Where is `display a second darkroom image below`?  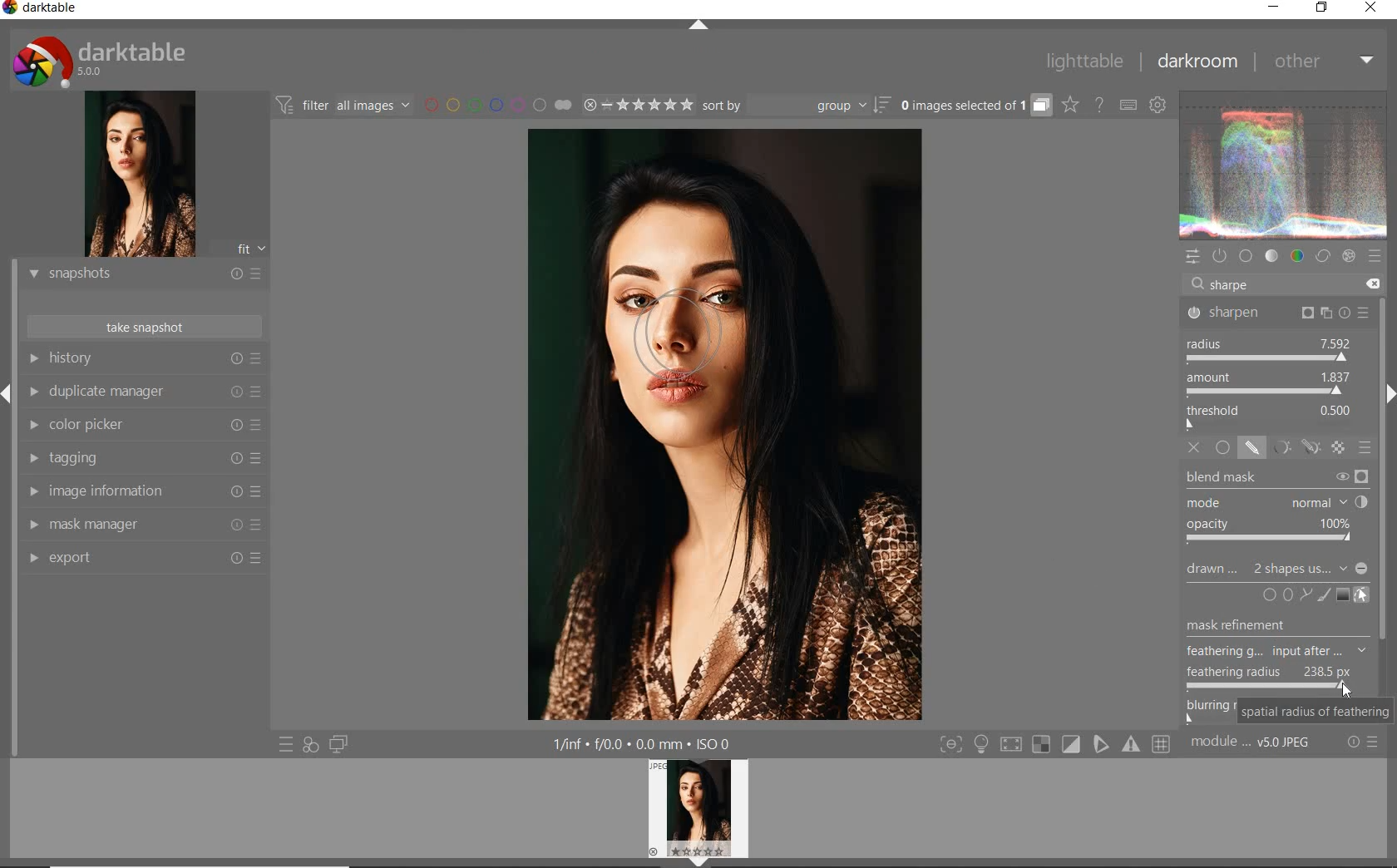 display a second darkroom image below is located at coordinates (340, 743).